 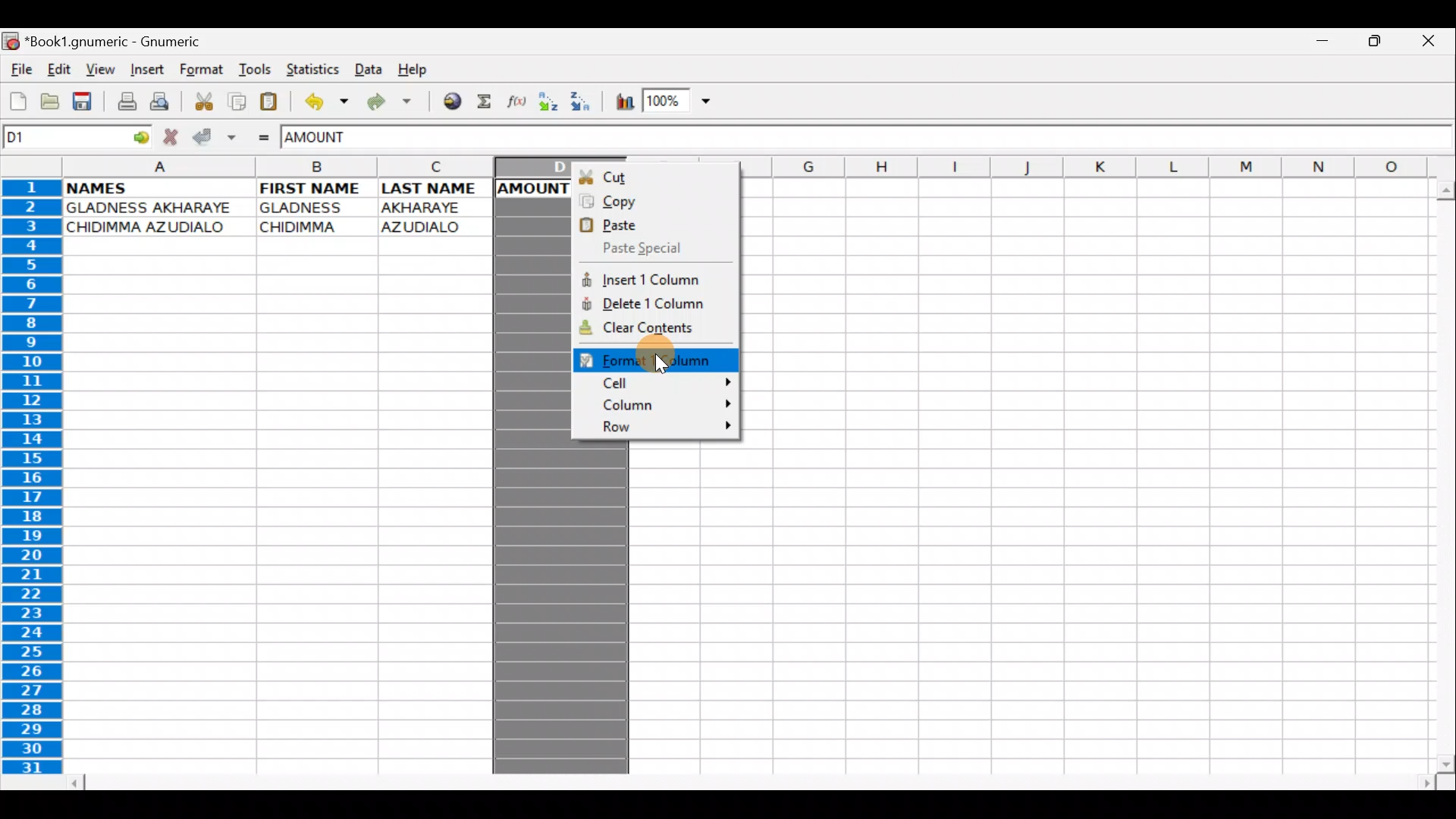 What do you see at coordinates (654, 199) in the screenshot?
I see `Copy` at bounding box center [654, 199].